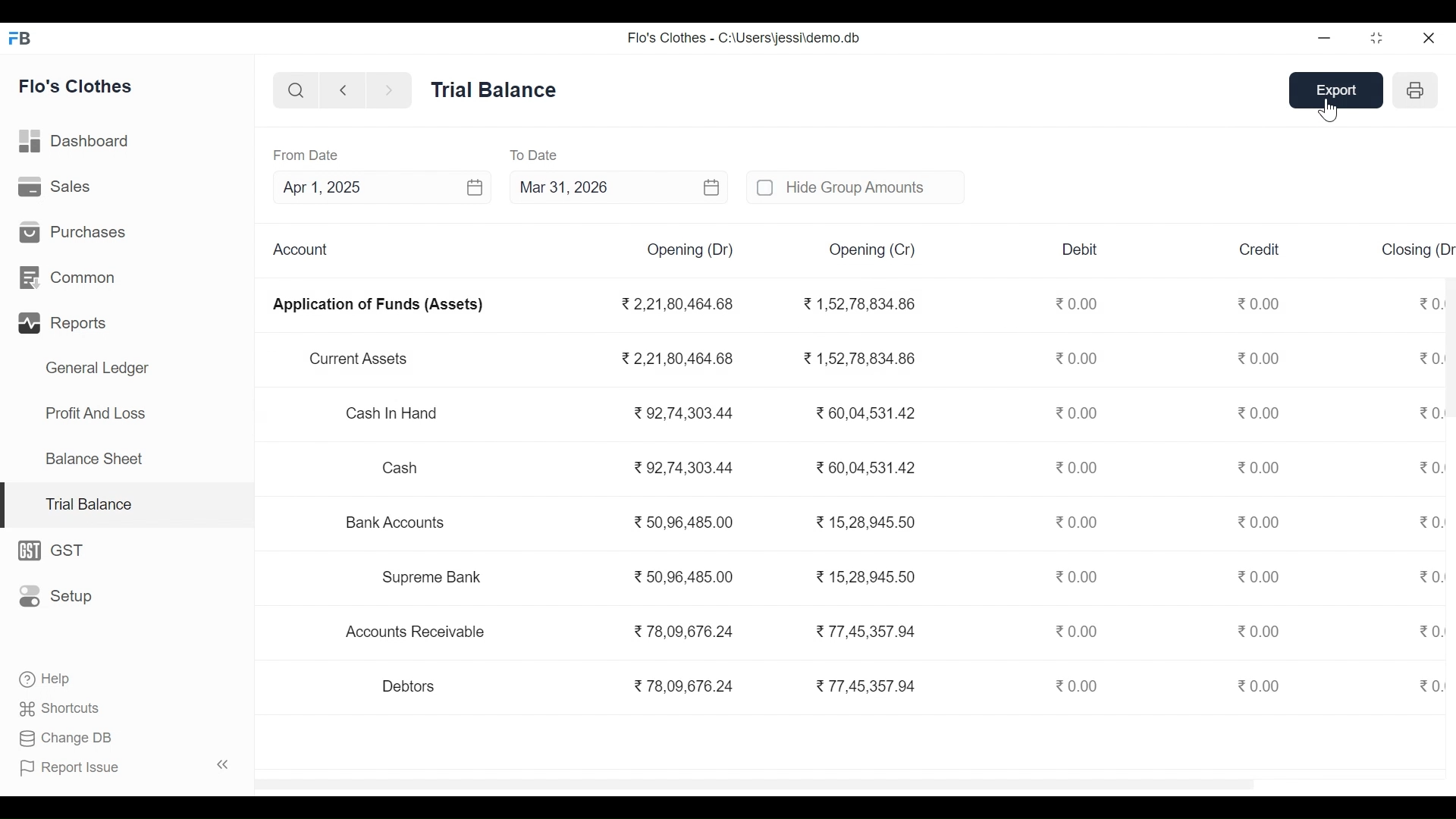  I want to click on 50,96,485.00, so click(682, 576).